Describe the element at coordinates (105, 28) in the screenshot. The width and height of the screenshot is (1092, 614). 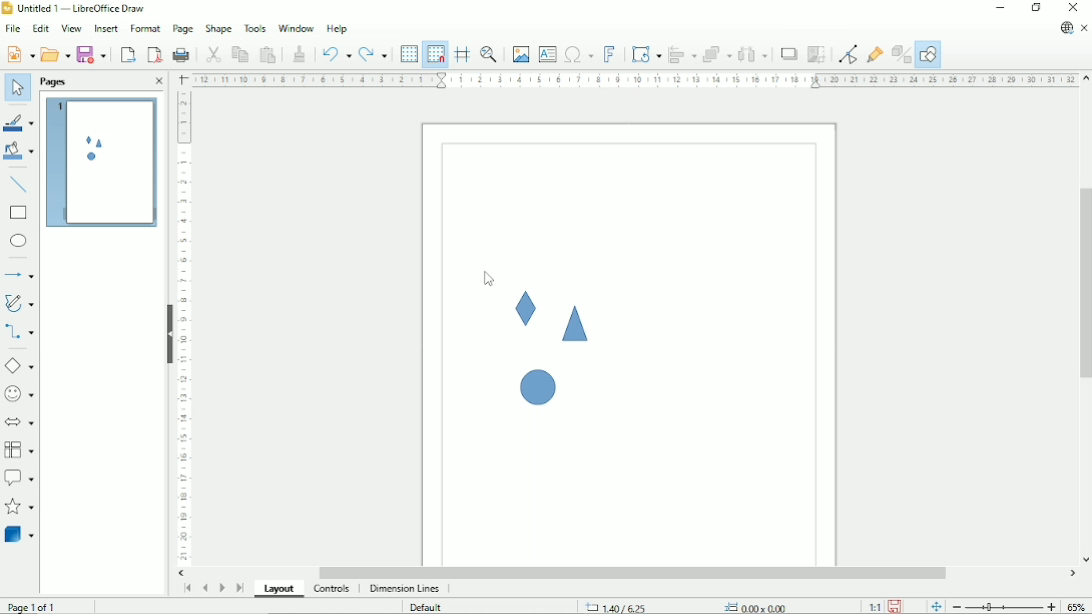
I see `Insert` at that location.